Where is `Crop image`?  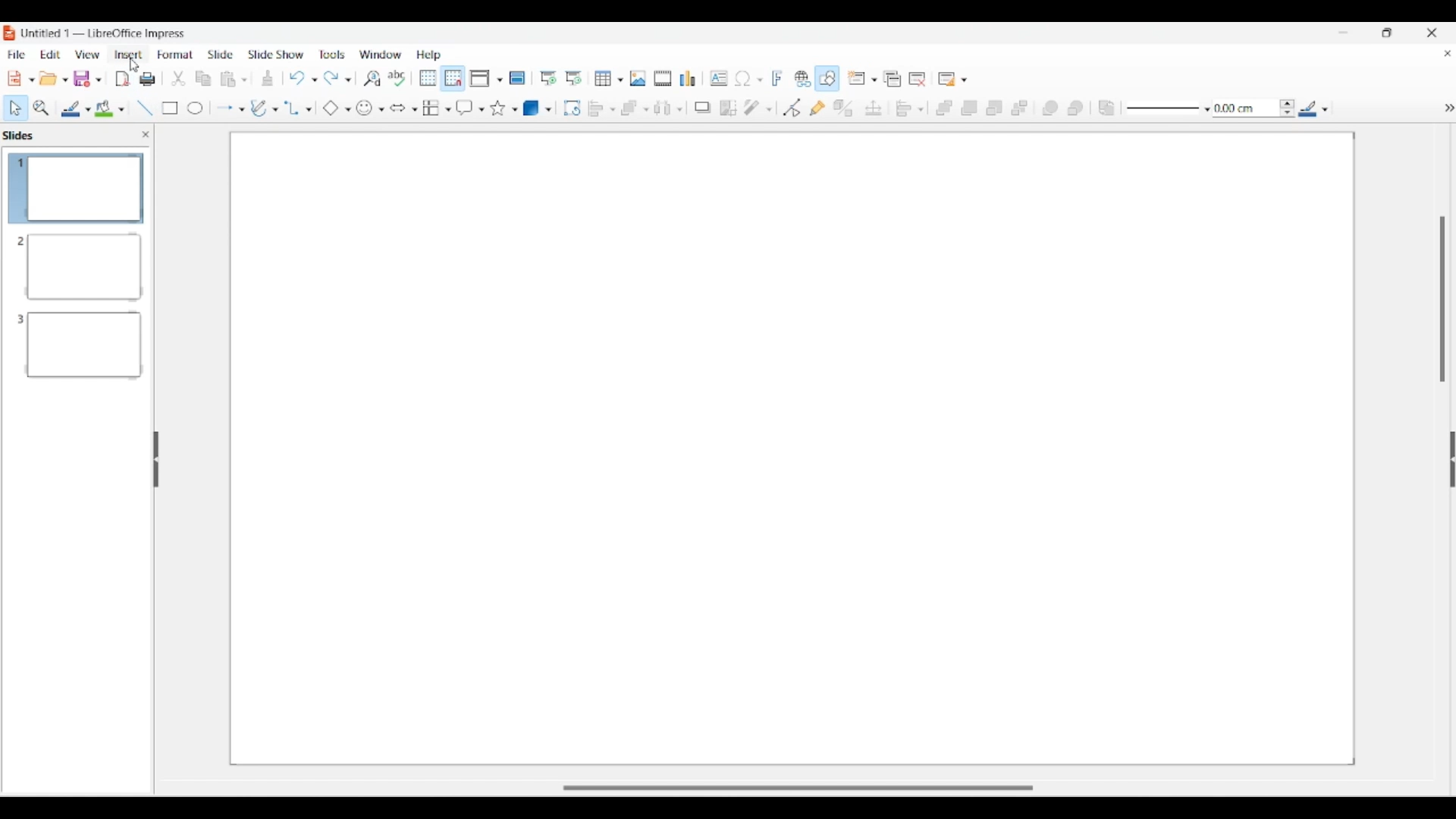 Crop image is located at coordinates (729, 108).